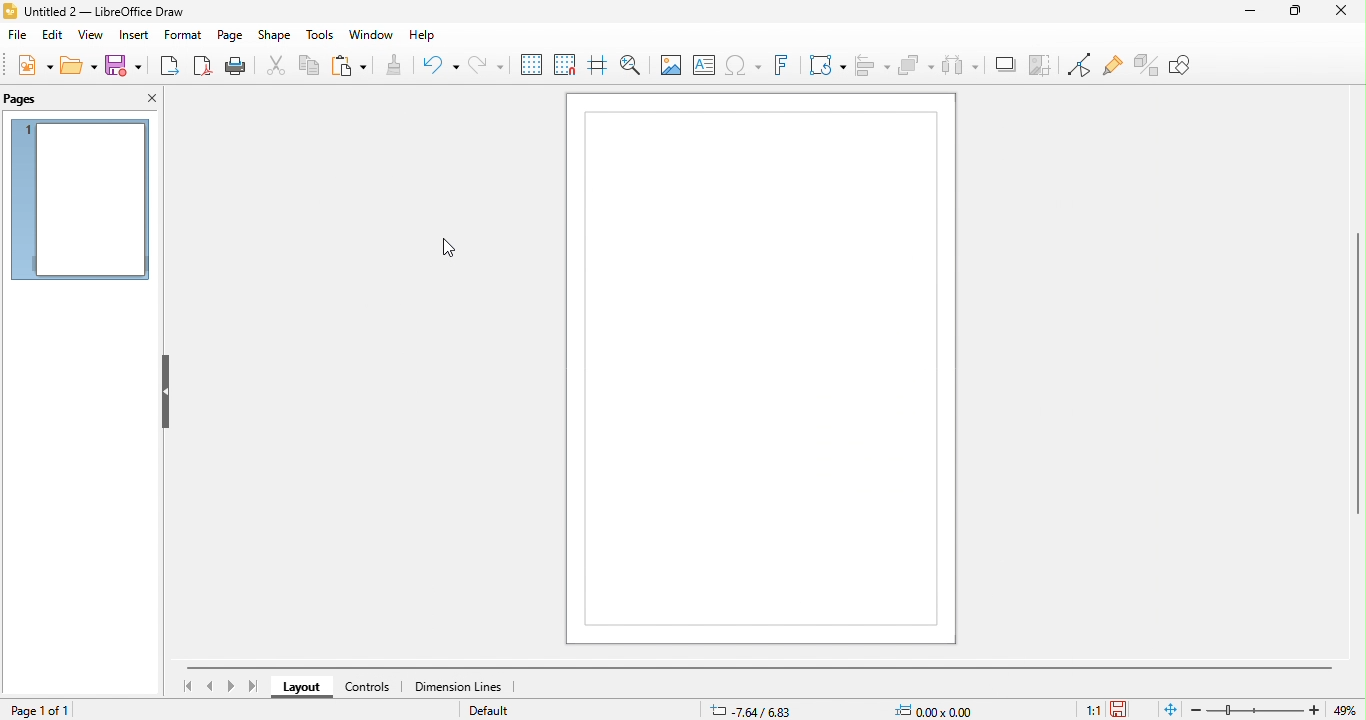 This screenshot has width=1366, height=720. What do you see at coordinates (79, 66) in the screenshot?
I see `open` at bounding box center [79, 66].